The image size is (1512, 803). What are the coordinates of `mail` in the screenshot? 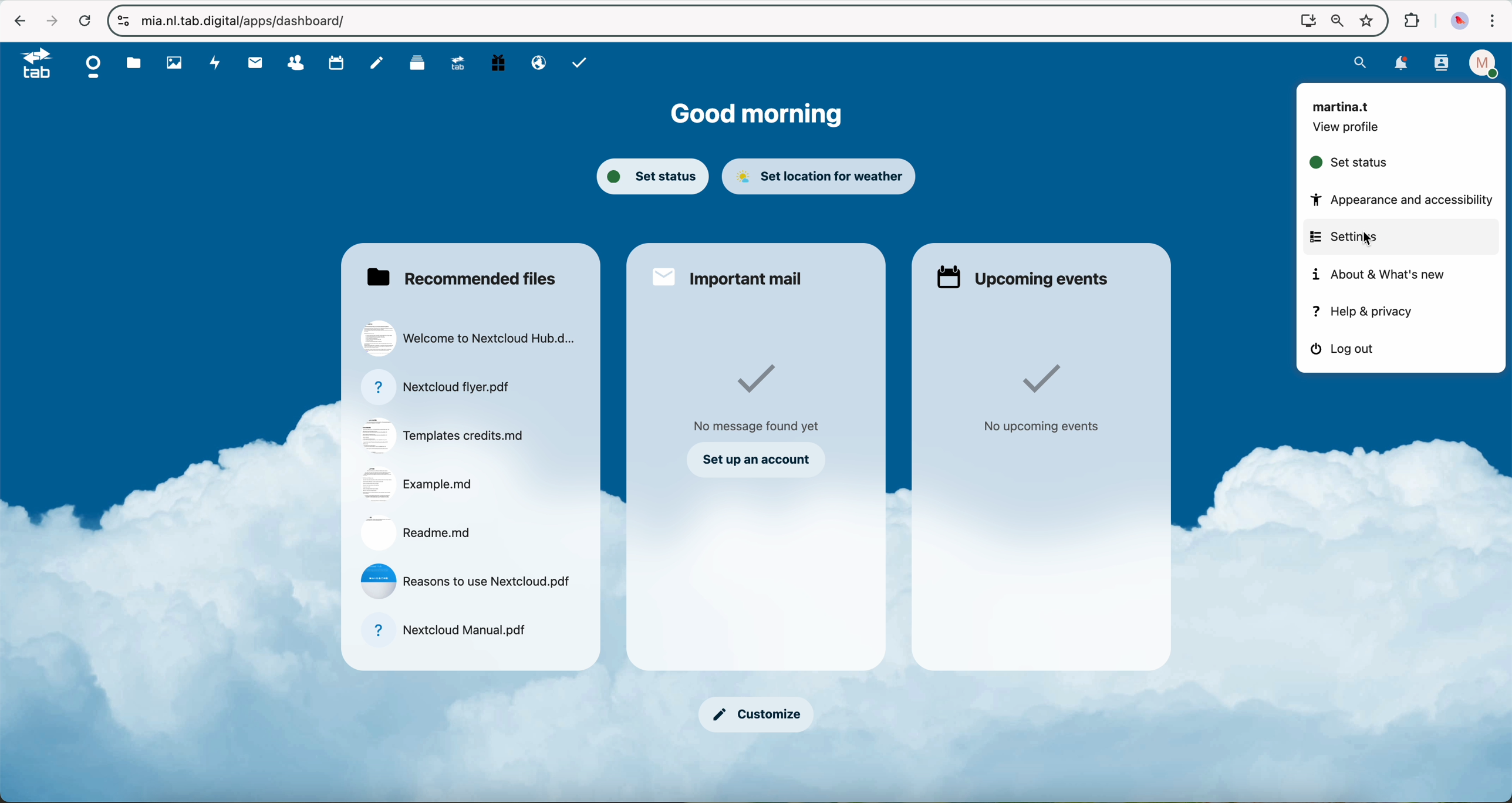 It's located at (253, 63).